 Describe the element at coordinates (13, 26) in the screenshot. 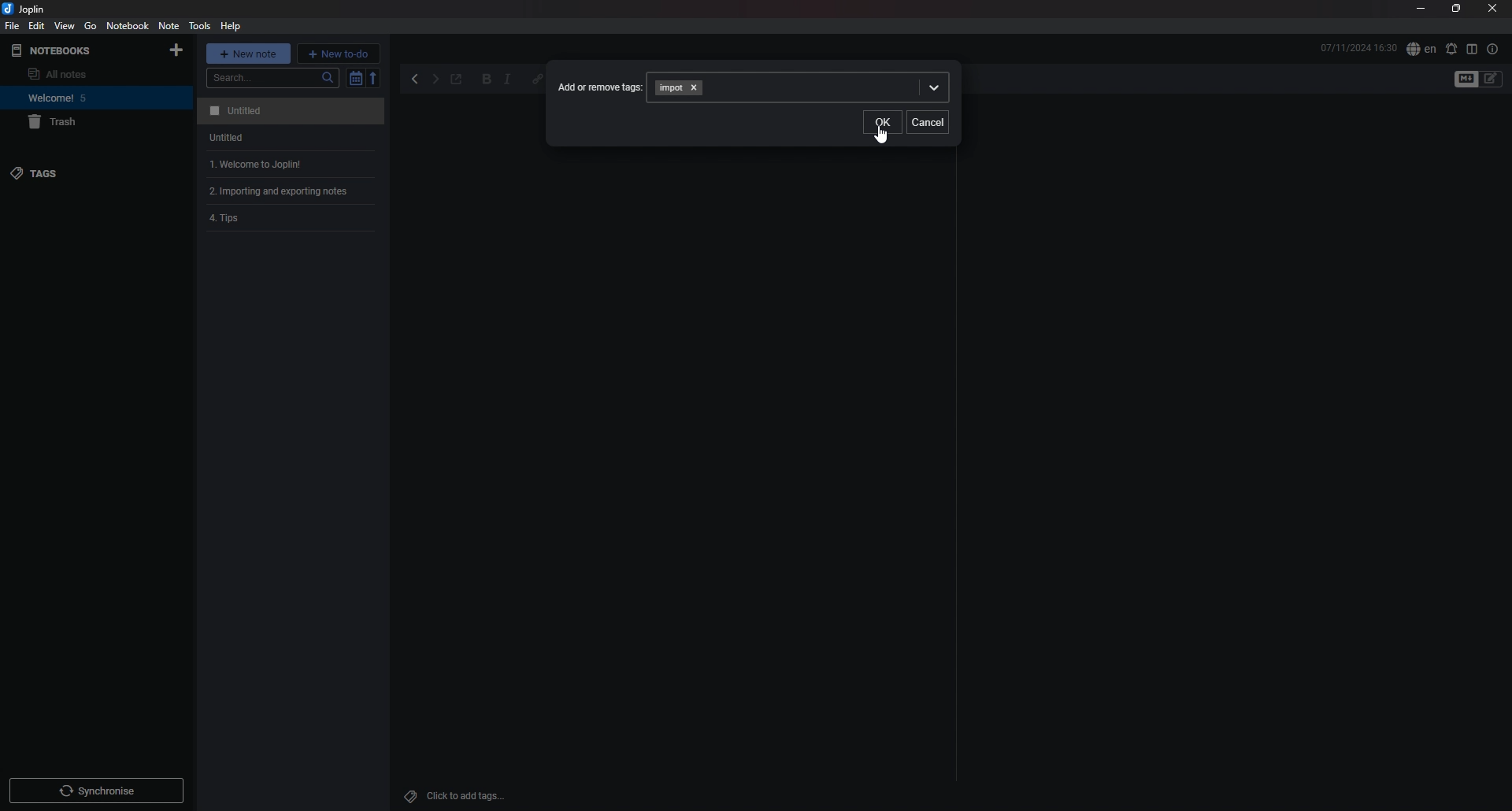

I see `file` at that location.